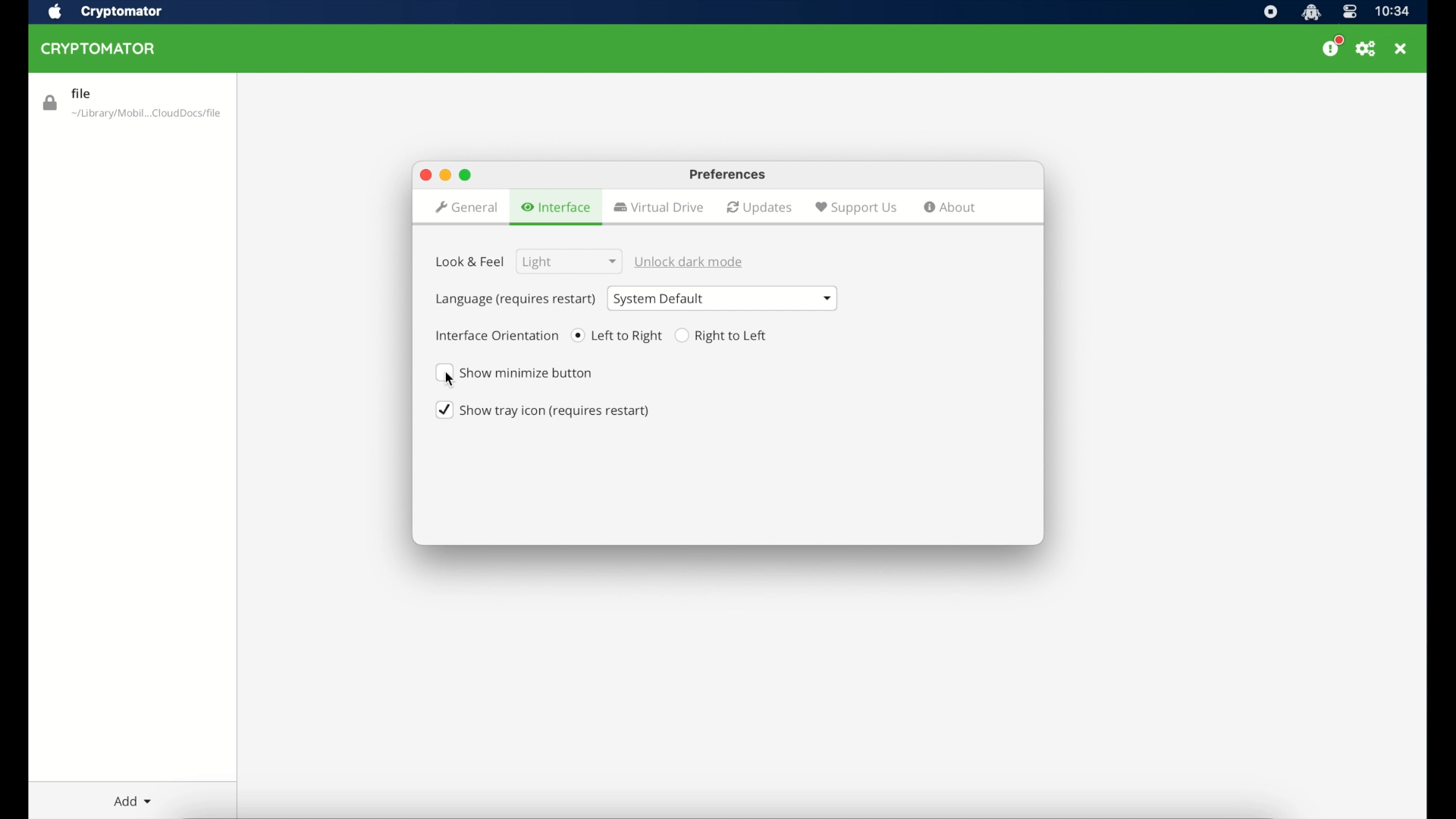 This screenshot has height=819, width=1456. Describe the element at coordinates (133, 801) in the screenshot. I see `add dropdown` at that location.